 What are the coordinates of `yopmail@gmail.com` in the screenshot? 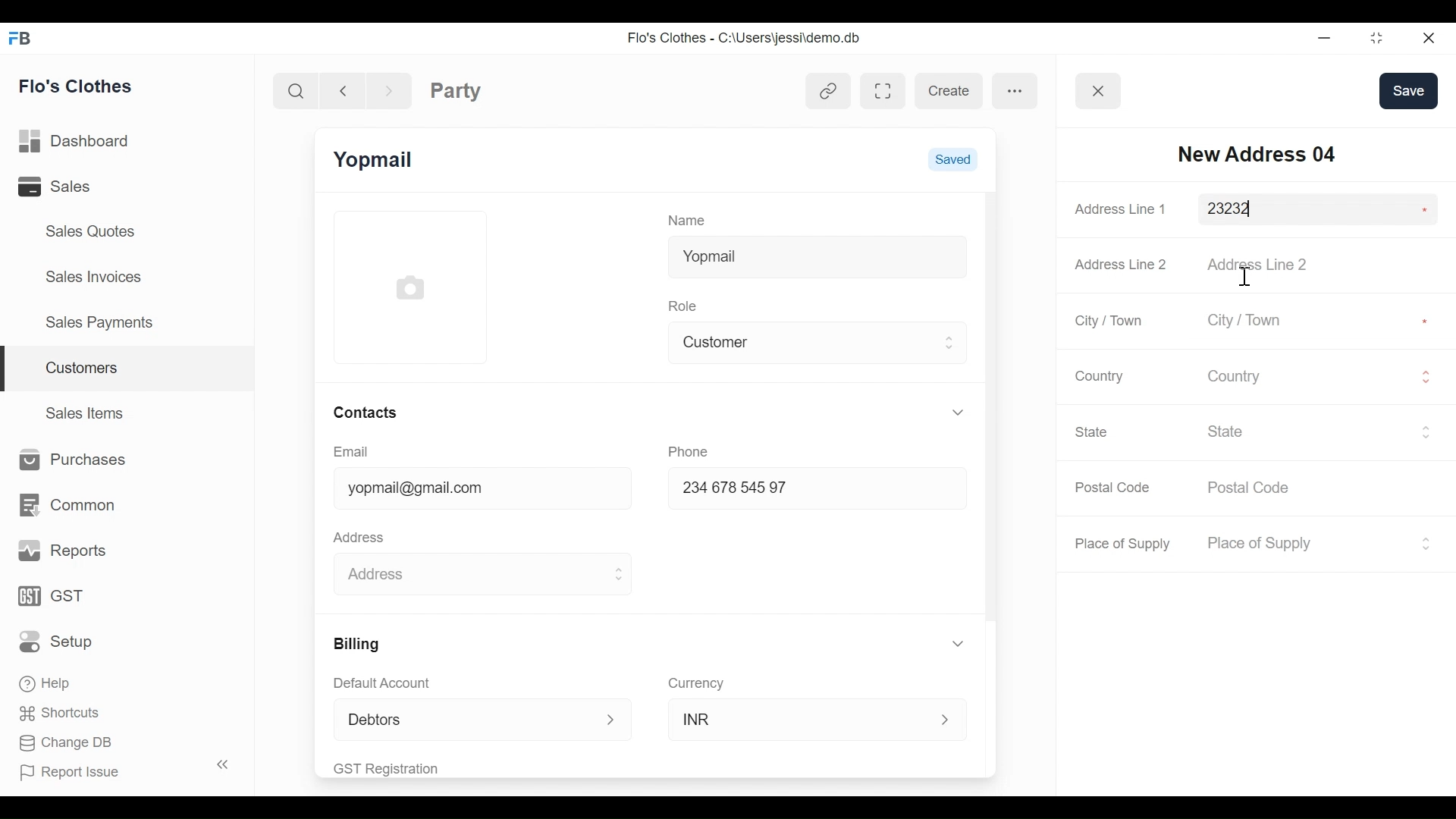 It's located at (469, 490).